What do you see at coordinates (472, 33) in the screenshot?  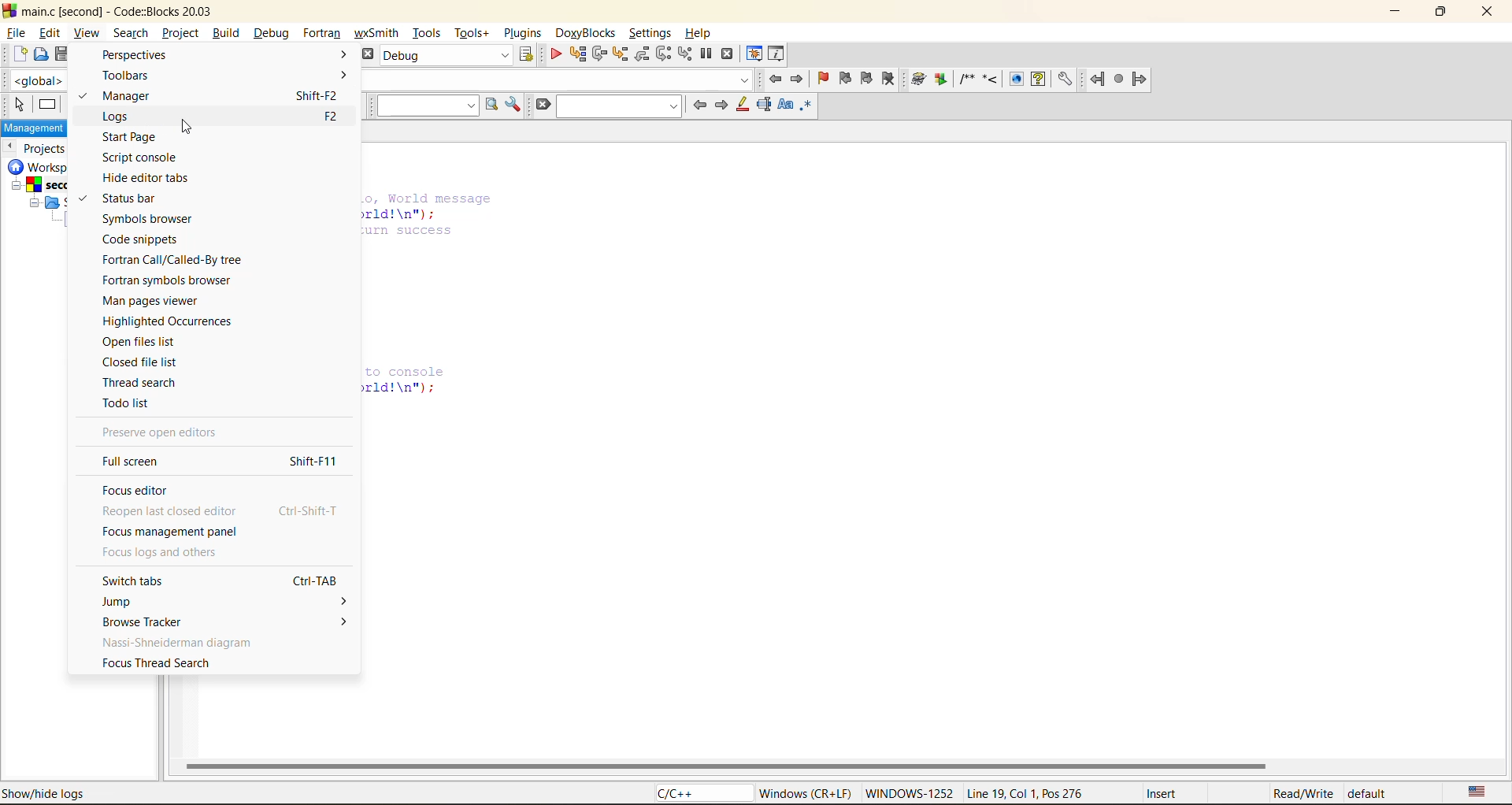 I see `tools+` at bounding box center [472, 33].